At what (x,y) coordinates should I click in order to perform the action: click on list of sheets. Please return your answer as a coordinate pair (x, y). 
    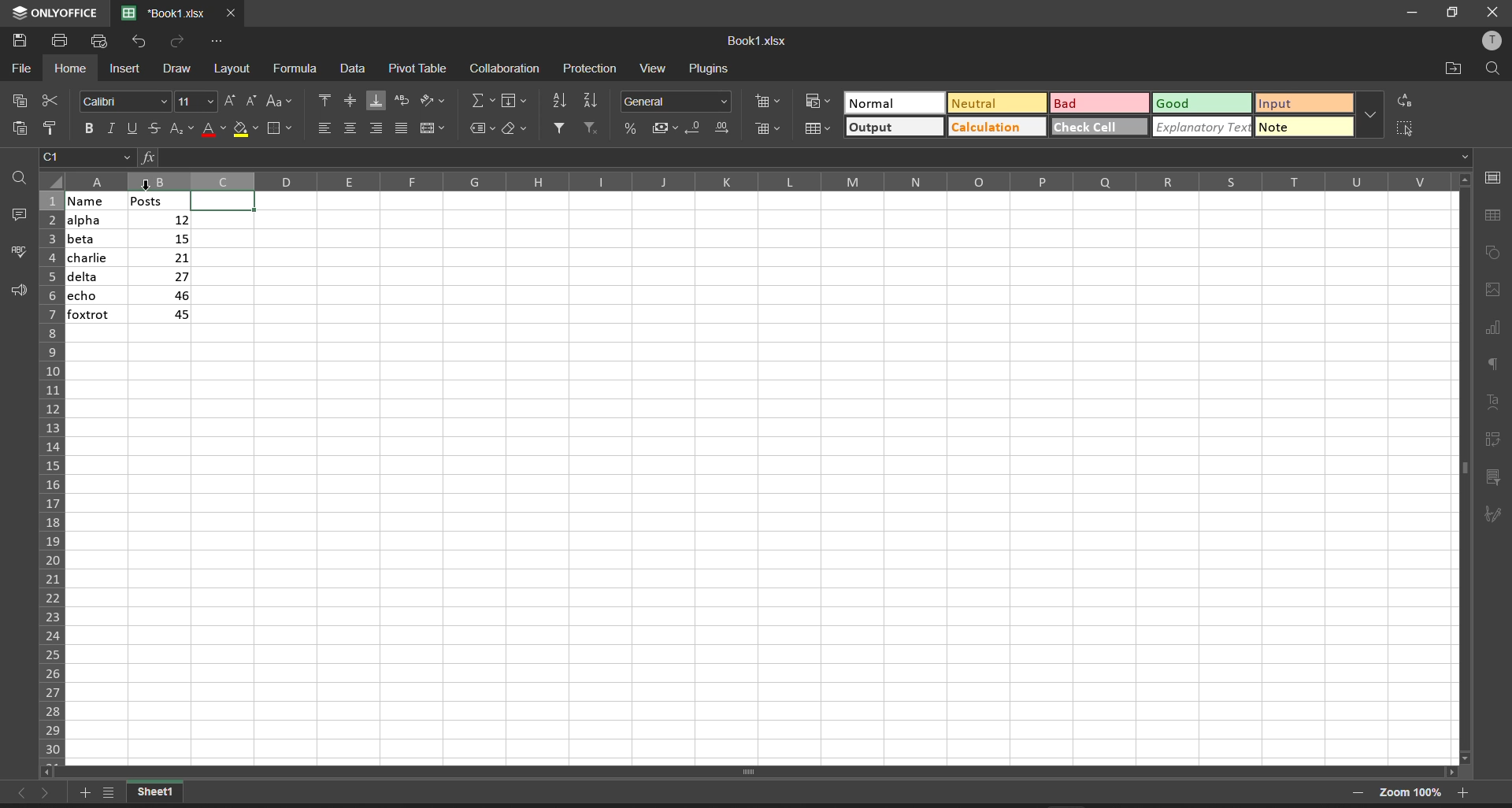
    Looking at the image, I should click on (109, 791).